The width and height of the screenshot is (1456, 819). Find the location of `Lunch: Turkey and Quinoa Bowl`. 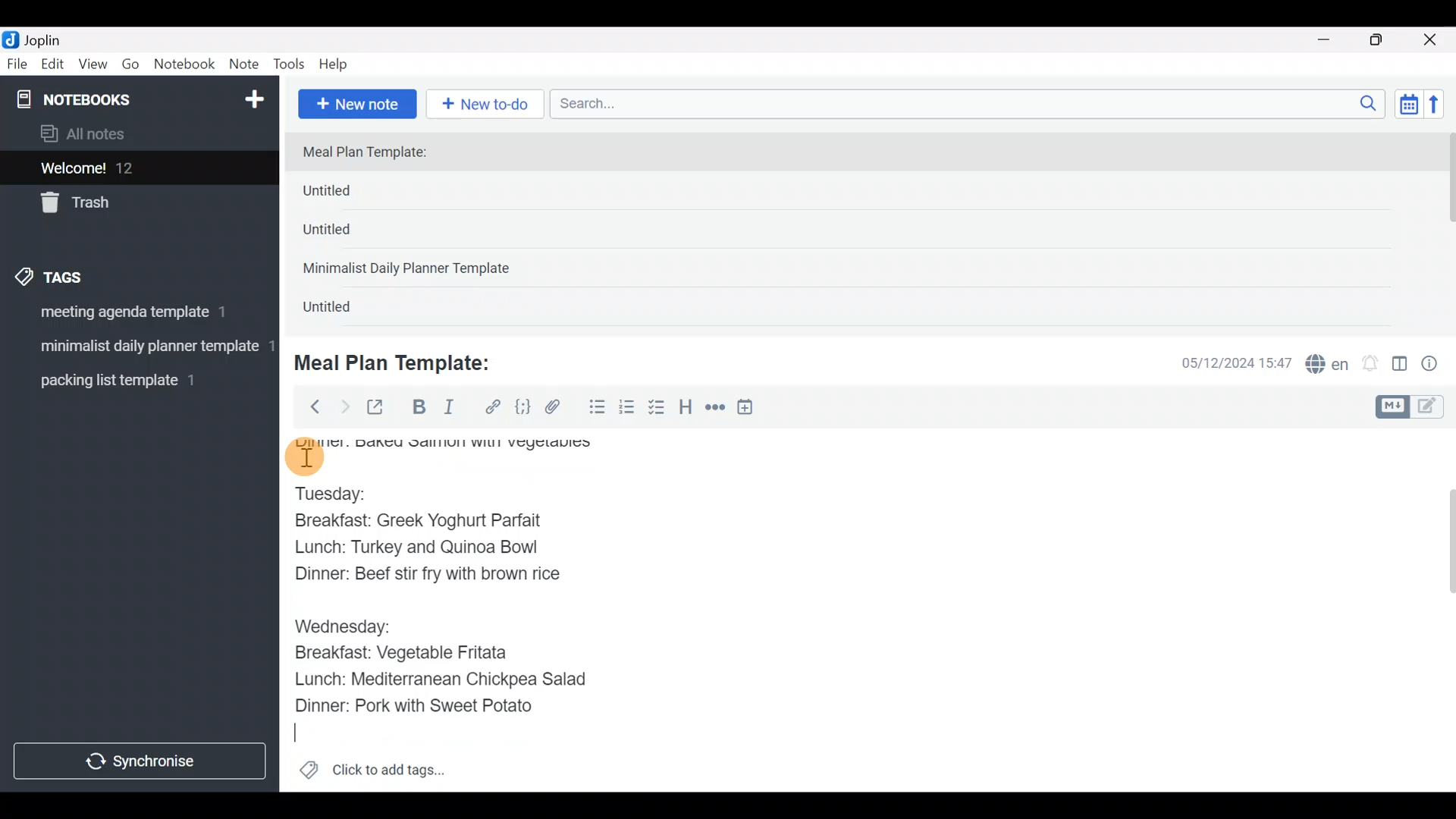

Lunch: Turkey and Quinoa Bowl is located at coordinates (421, 550).